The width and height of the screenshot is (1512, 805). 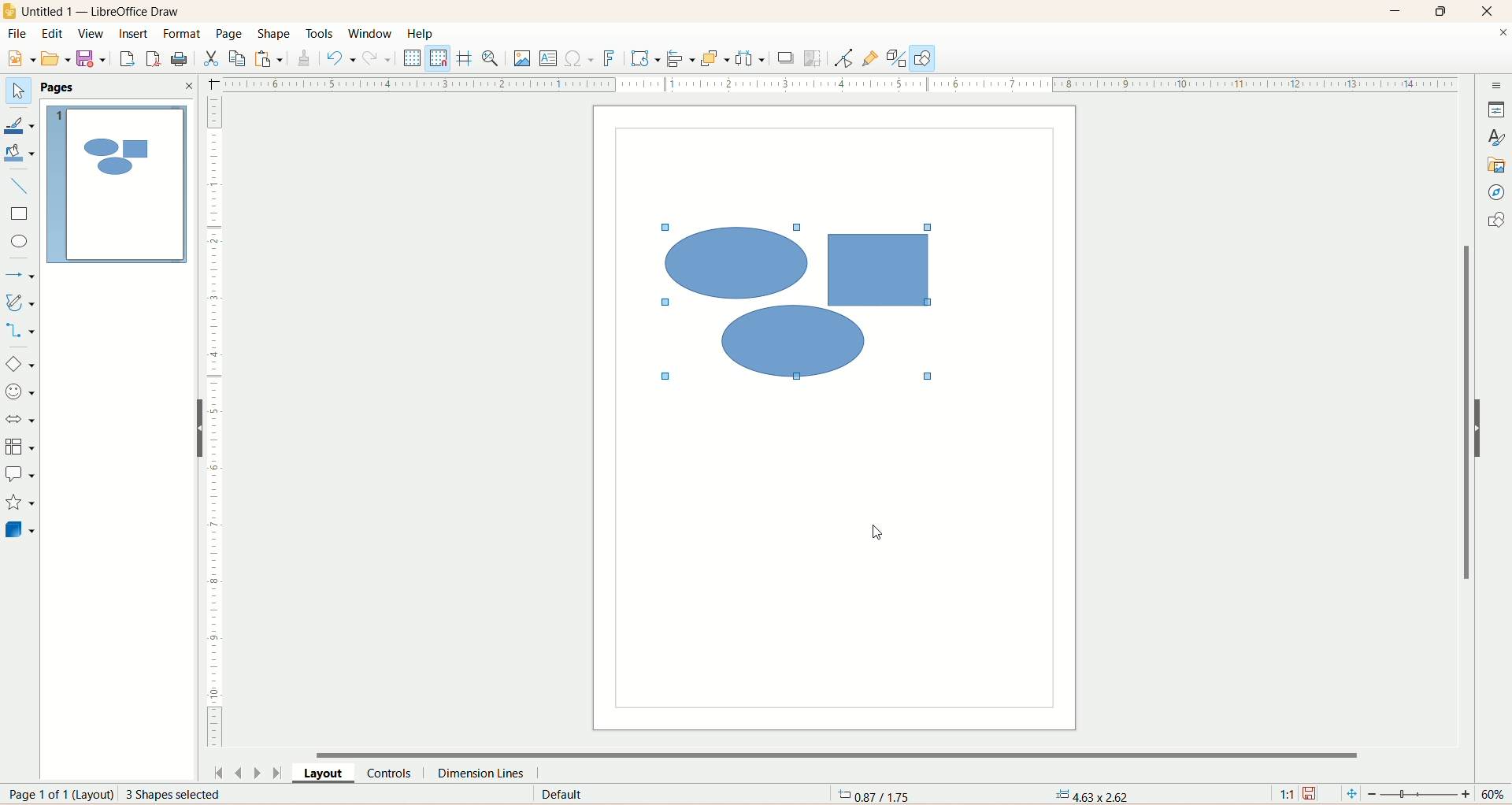 I want to click on stars and banners, so click(x=19, y=503).